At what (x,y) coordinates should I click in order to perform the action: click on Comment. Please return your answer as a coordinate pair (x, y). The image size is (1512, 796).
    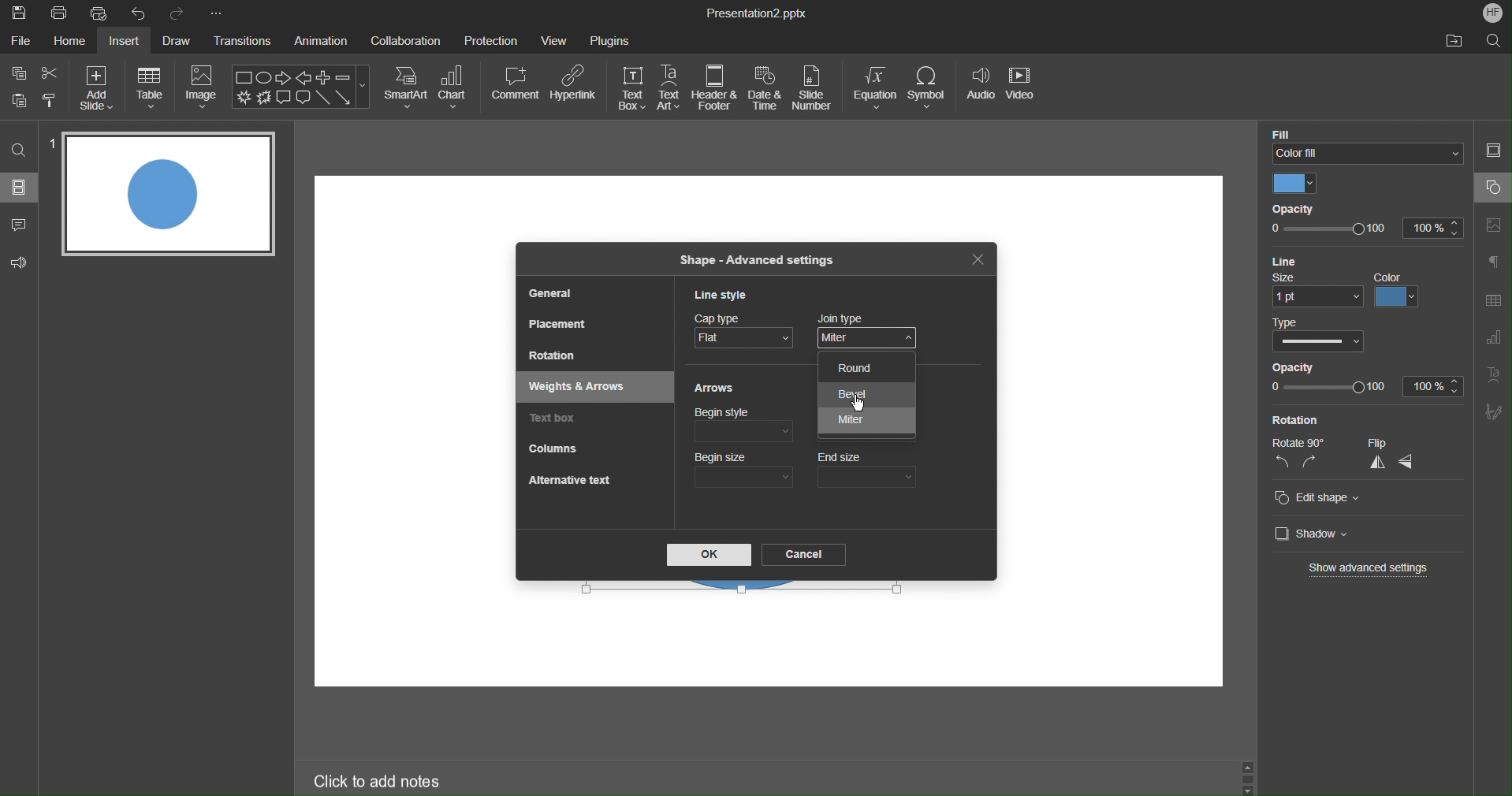
    Looking at the image, I should click on (20, 221).